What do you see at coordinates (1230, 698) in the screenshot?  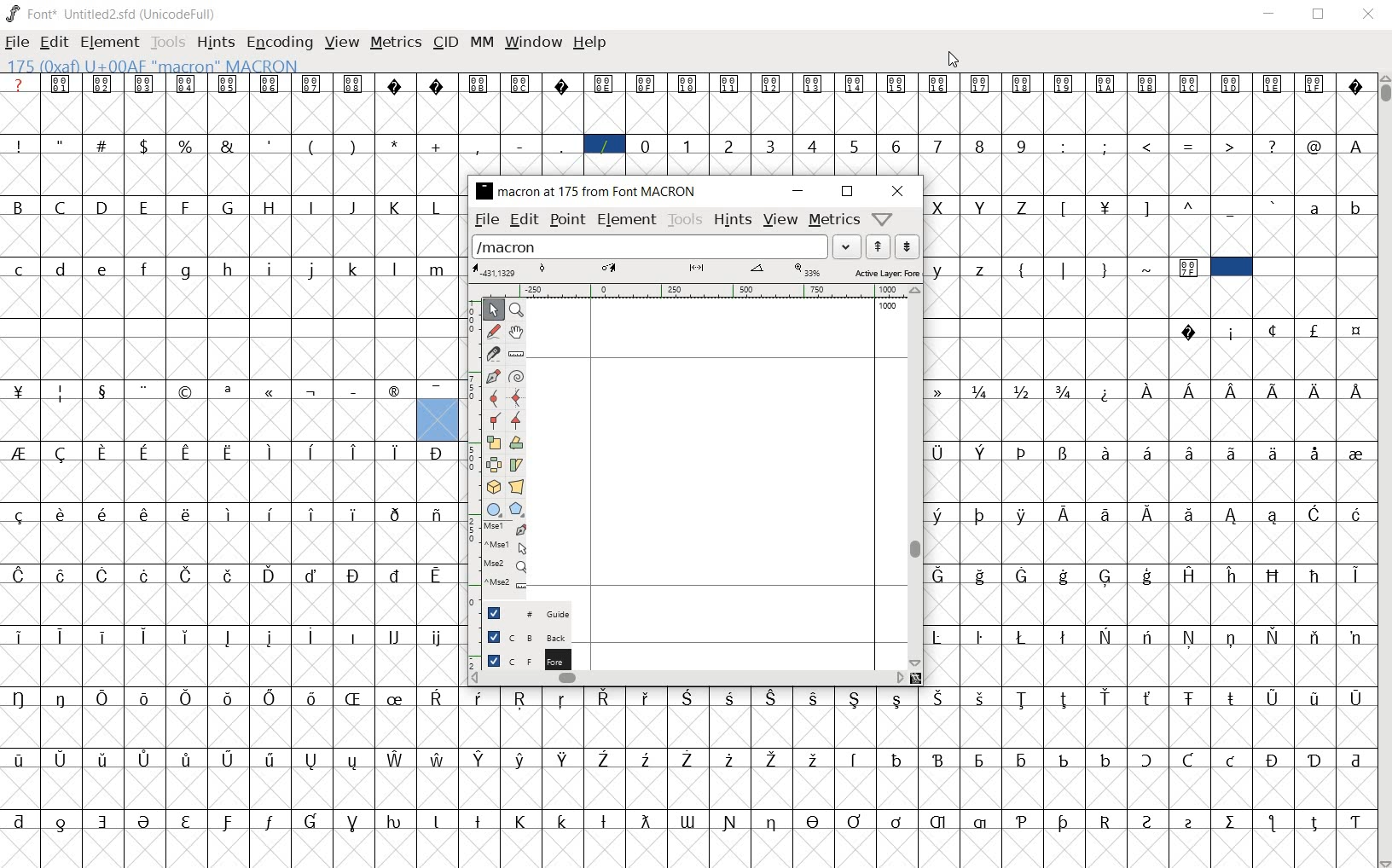 I see `Symbol` at bounding box center [1230, 698].